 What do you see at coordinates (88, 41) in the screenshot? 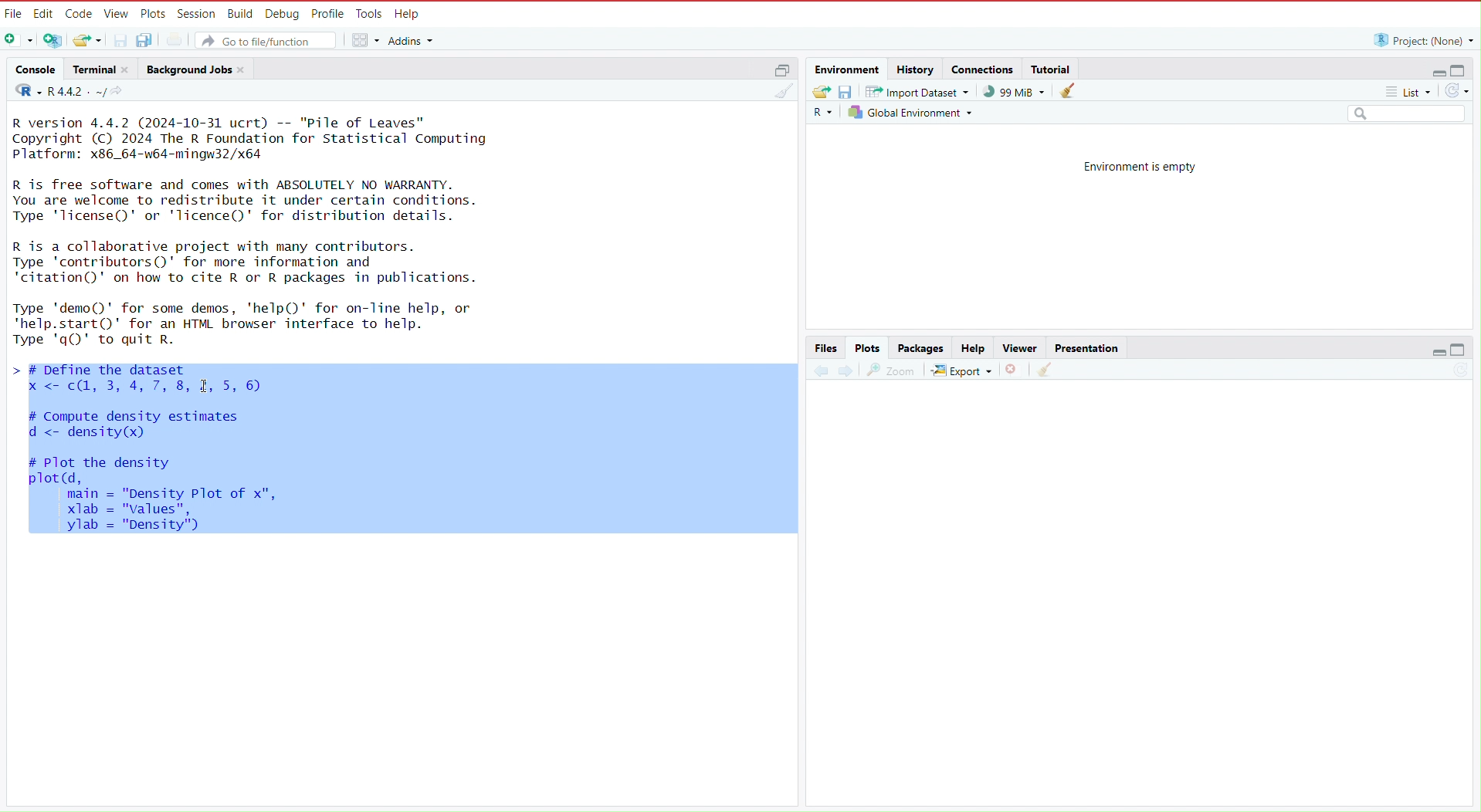
I see `open an existing file` at bounding box center [88, 41].